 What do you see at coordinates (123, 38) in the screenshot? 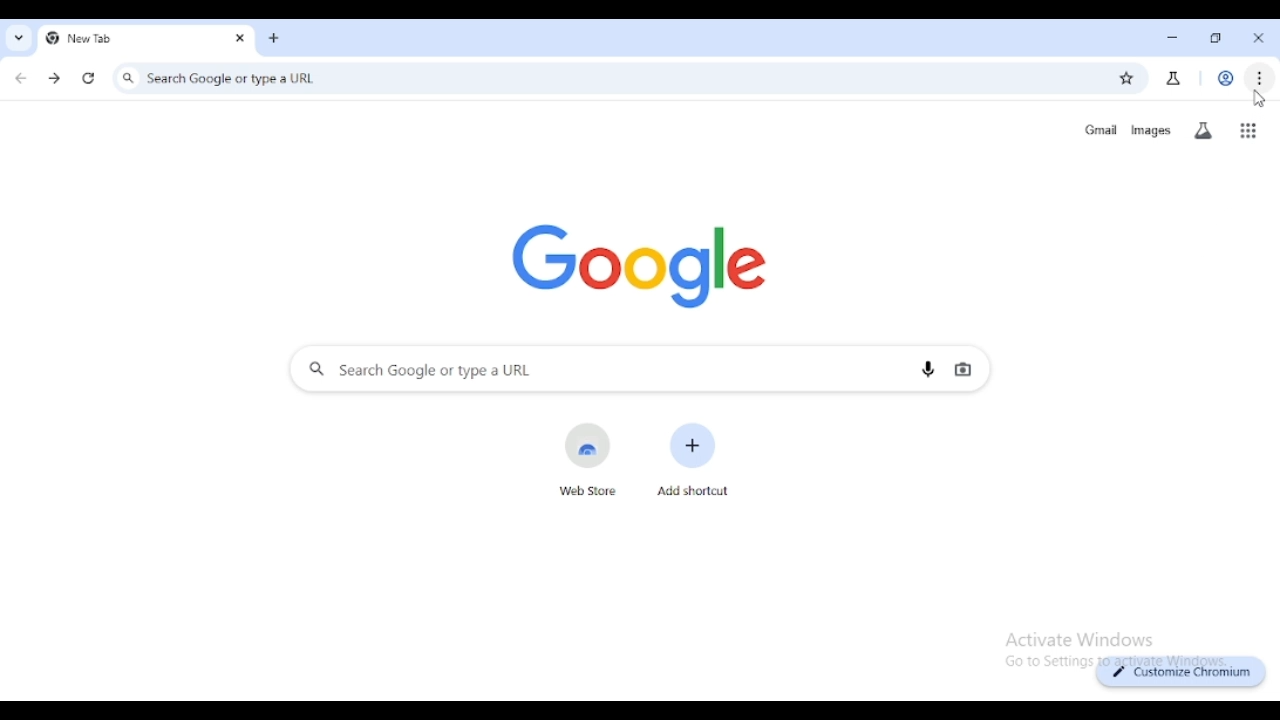
I see `new tab` at bounding box center [123, 38].